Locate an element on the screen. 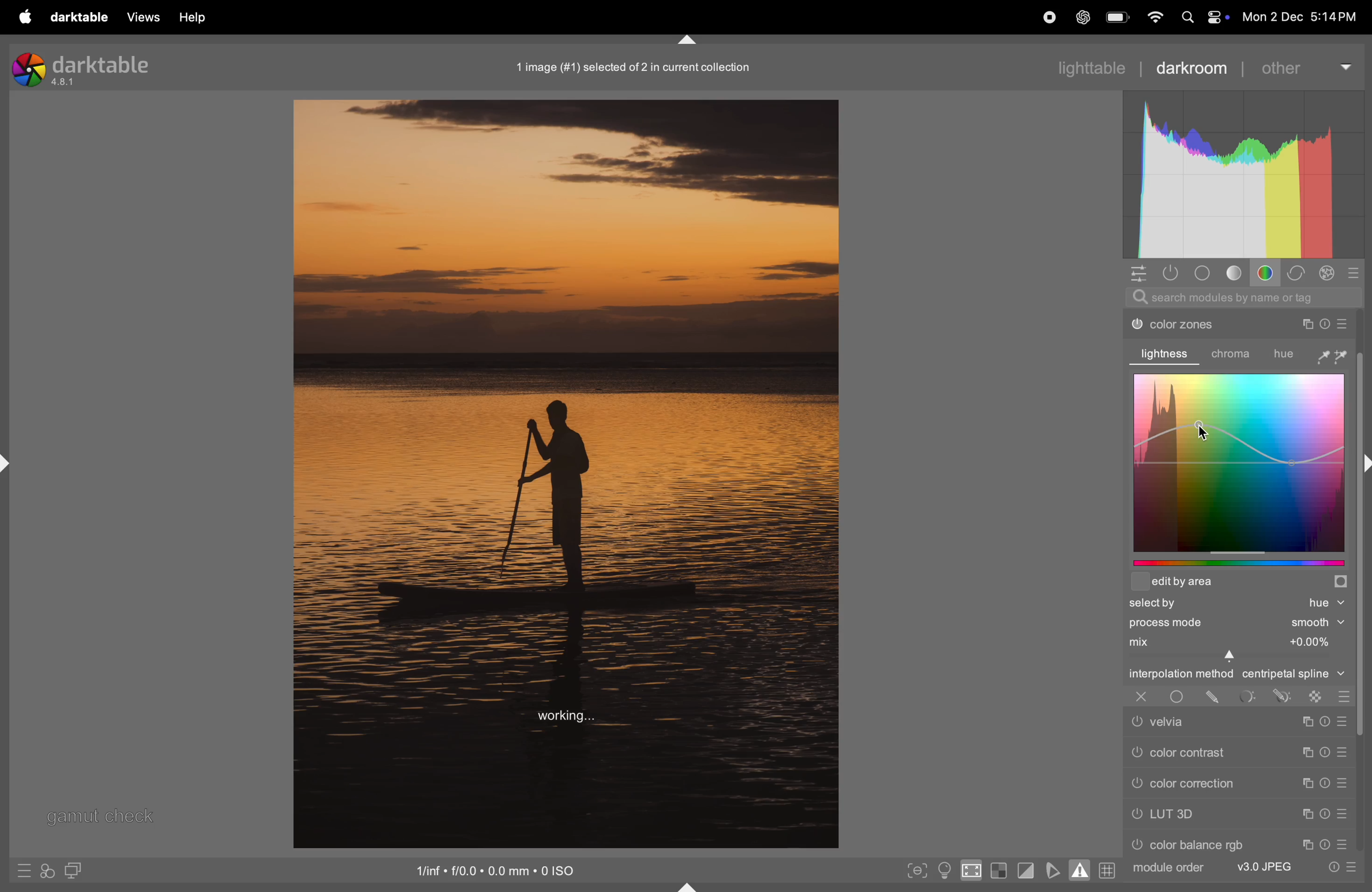 The height and width of the screenshot is (892, 1372). preset is located at coordinates (1342, 781).